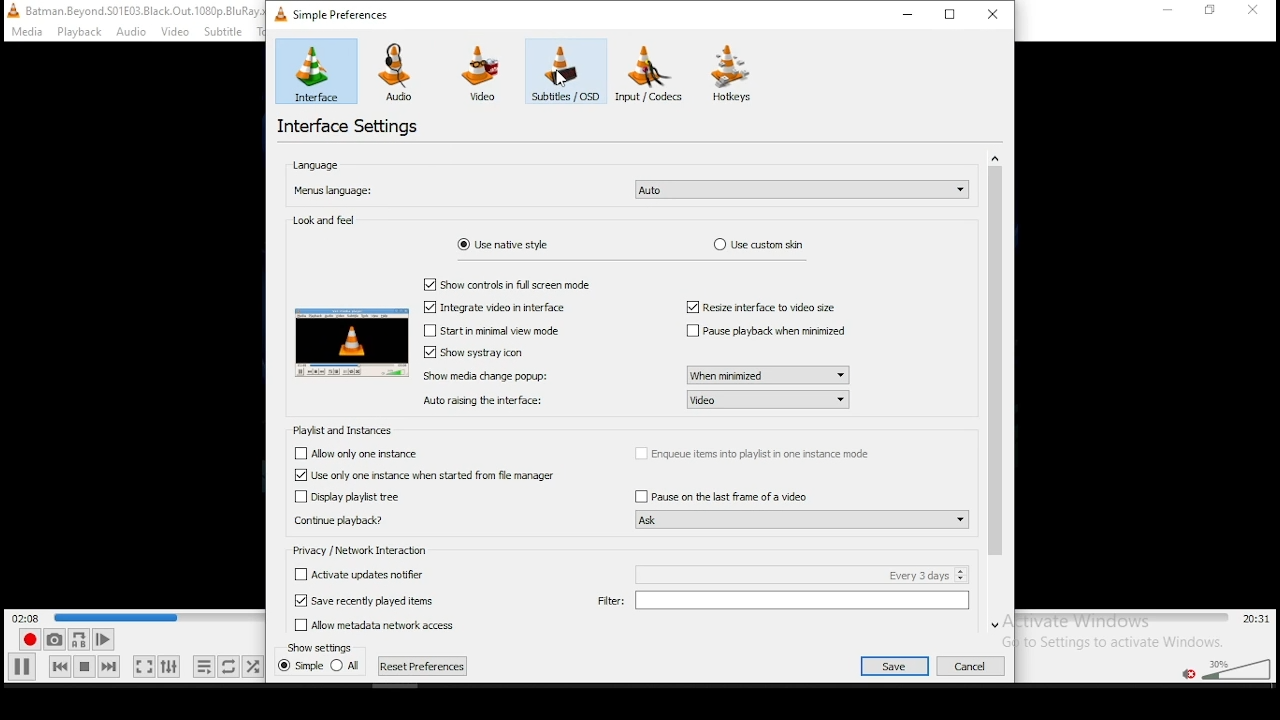 The image size is (1280, 720). I want to click on , so click(560, 81).